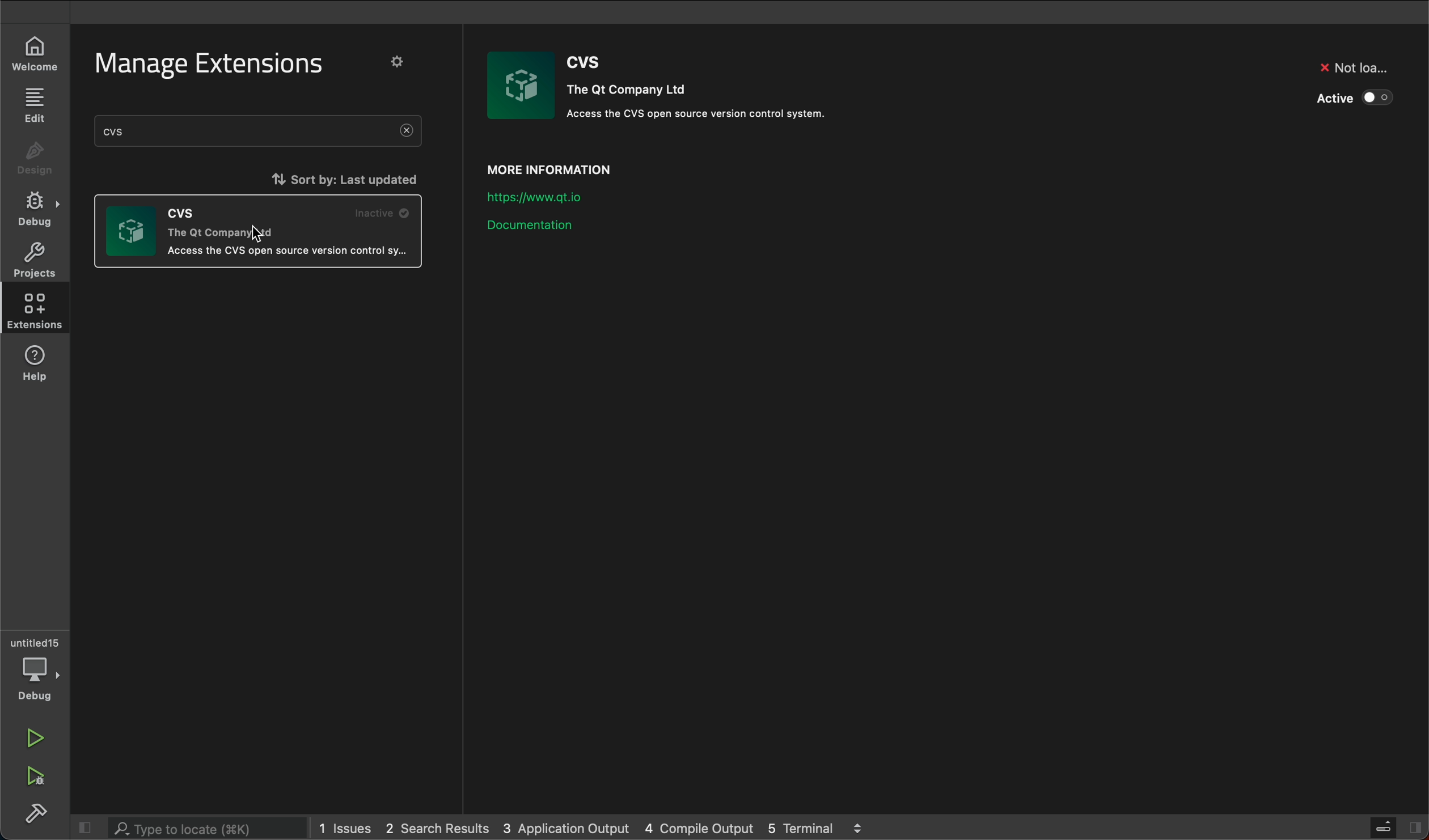 This screenshot has width=1429, height=840. Describe the element at coordinates (591, 65) in the screenshot. I see `name` at that location.